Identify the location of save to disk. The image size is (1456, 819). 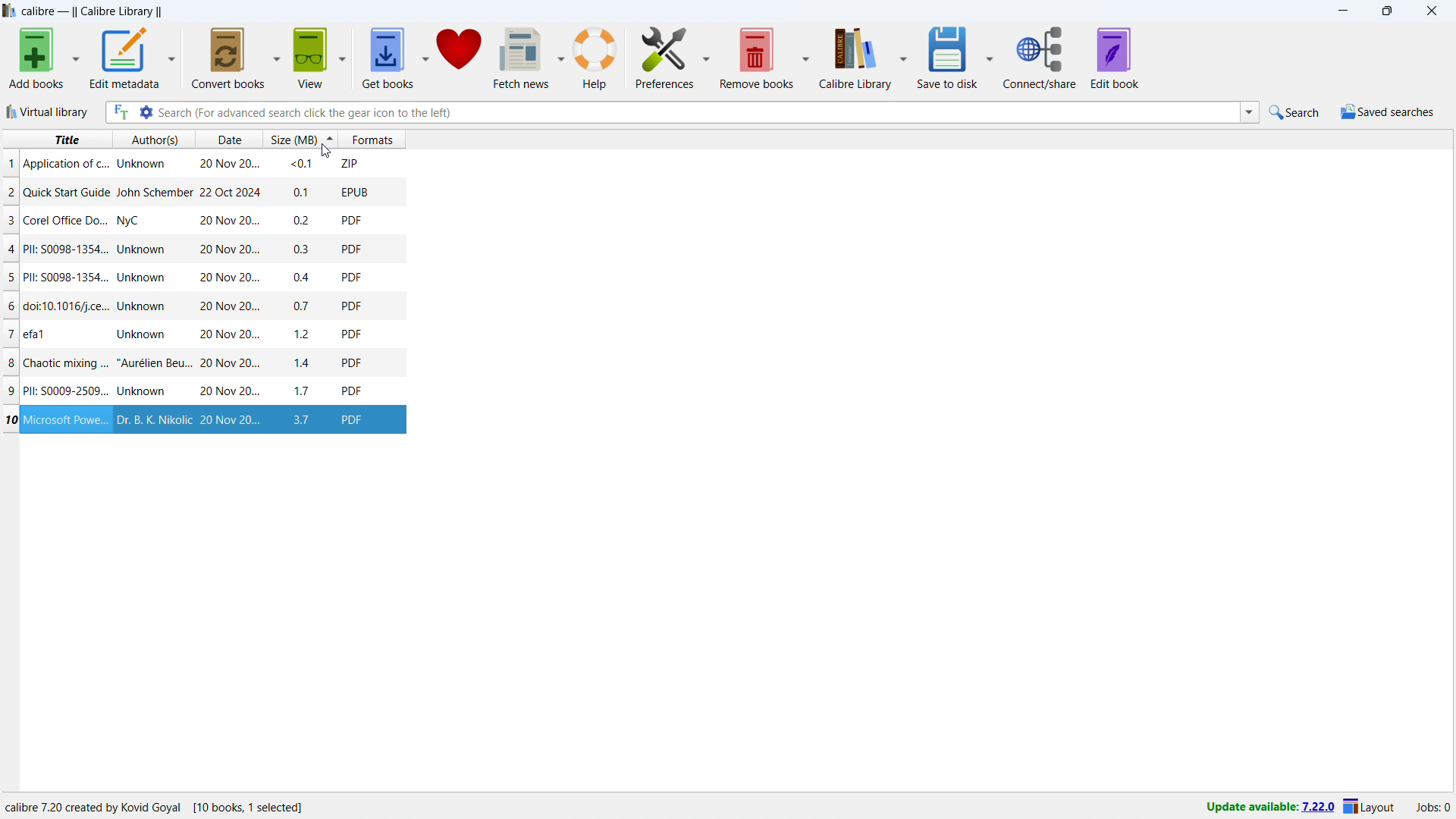
(947, 57).